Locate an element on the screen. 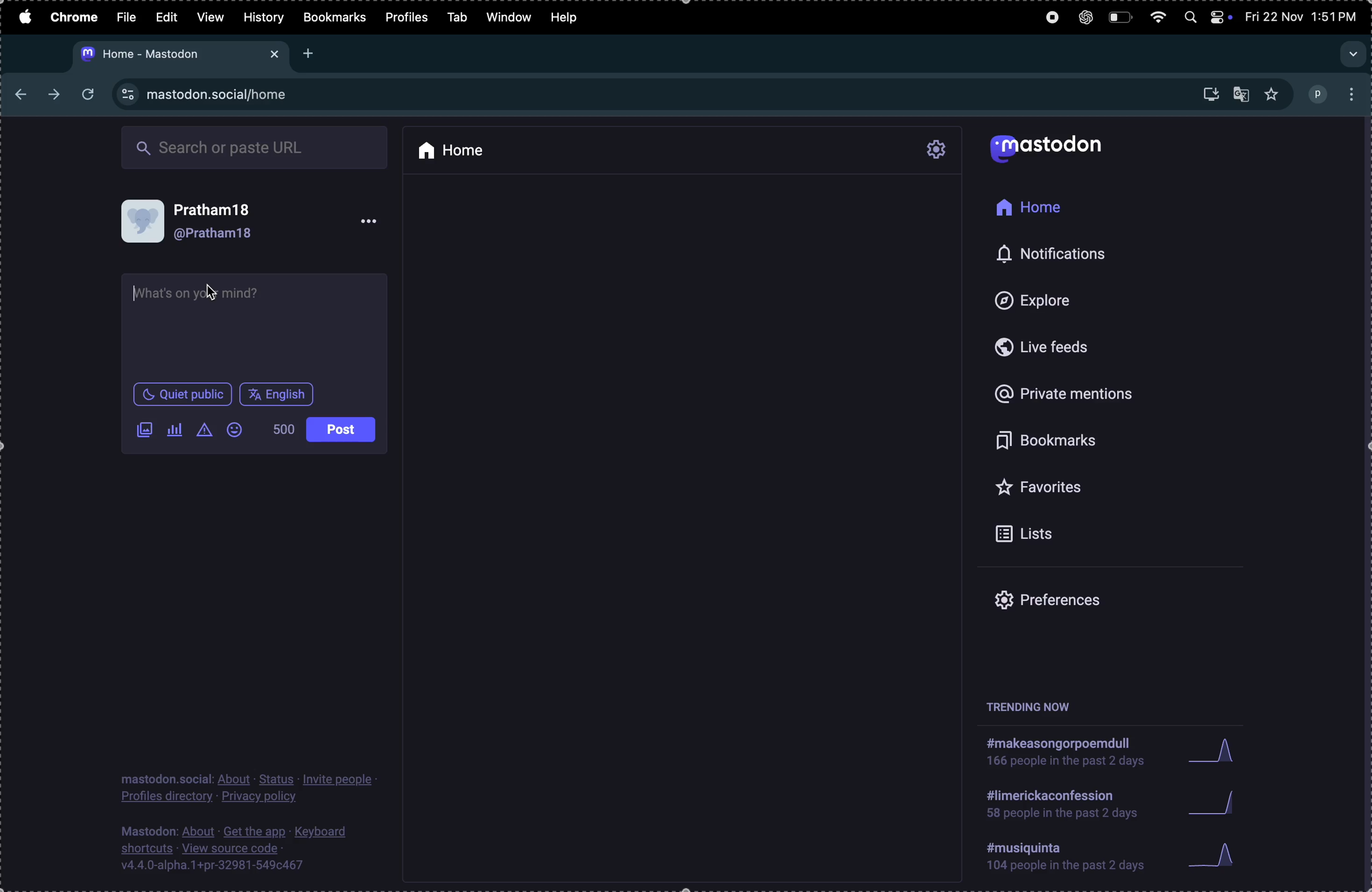  search tab is located at coordinates (1352, 55).